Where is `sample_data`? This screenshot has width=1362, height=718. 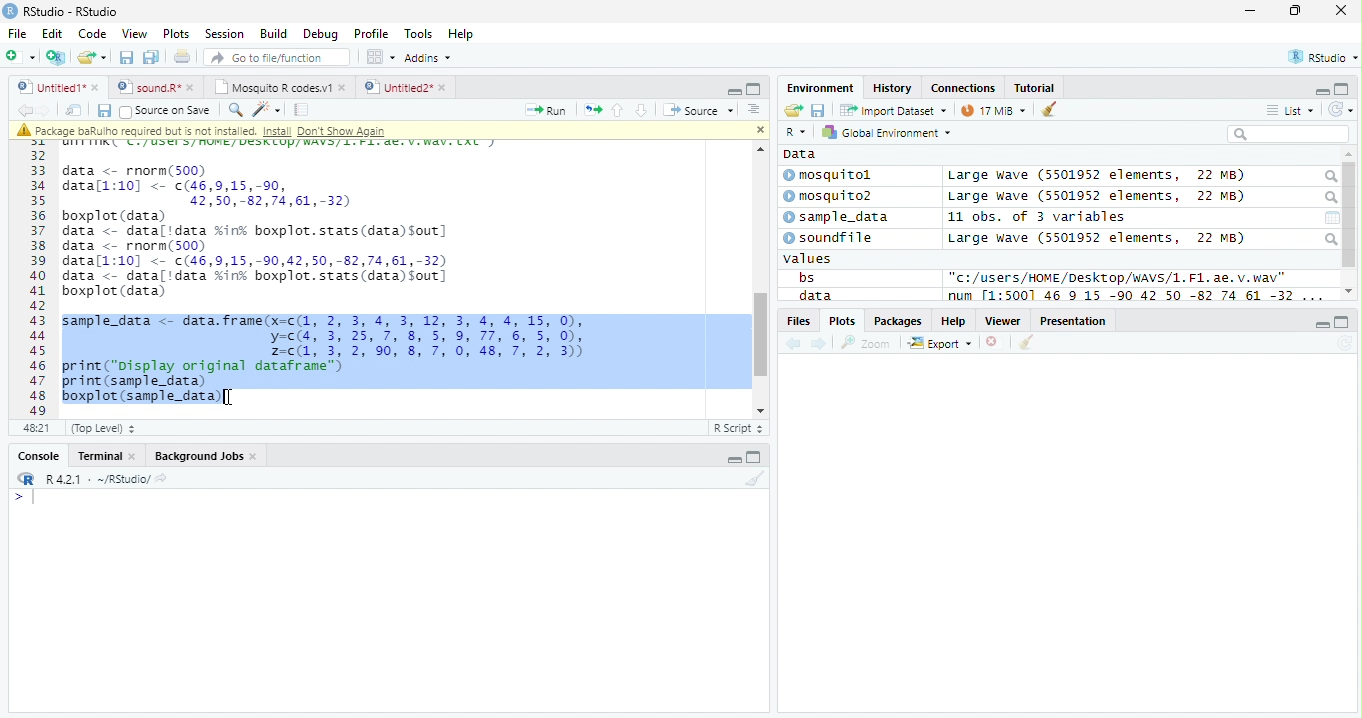 sample_data is located at coordinates (838, 218).